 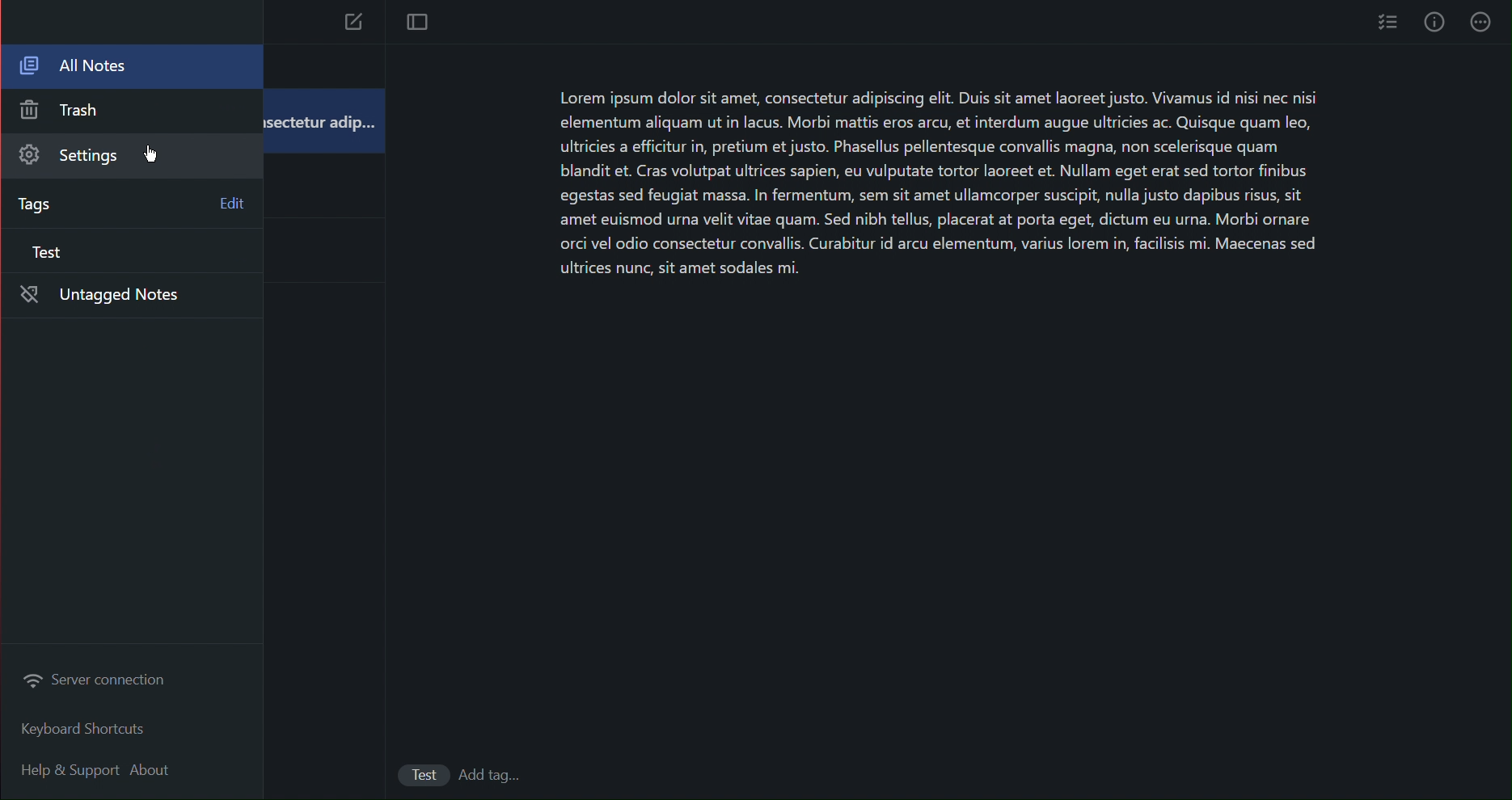 I want to click on Test, so click(x=421, y=772).